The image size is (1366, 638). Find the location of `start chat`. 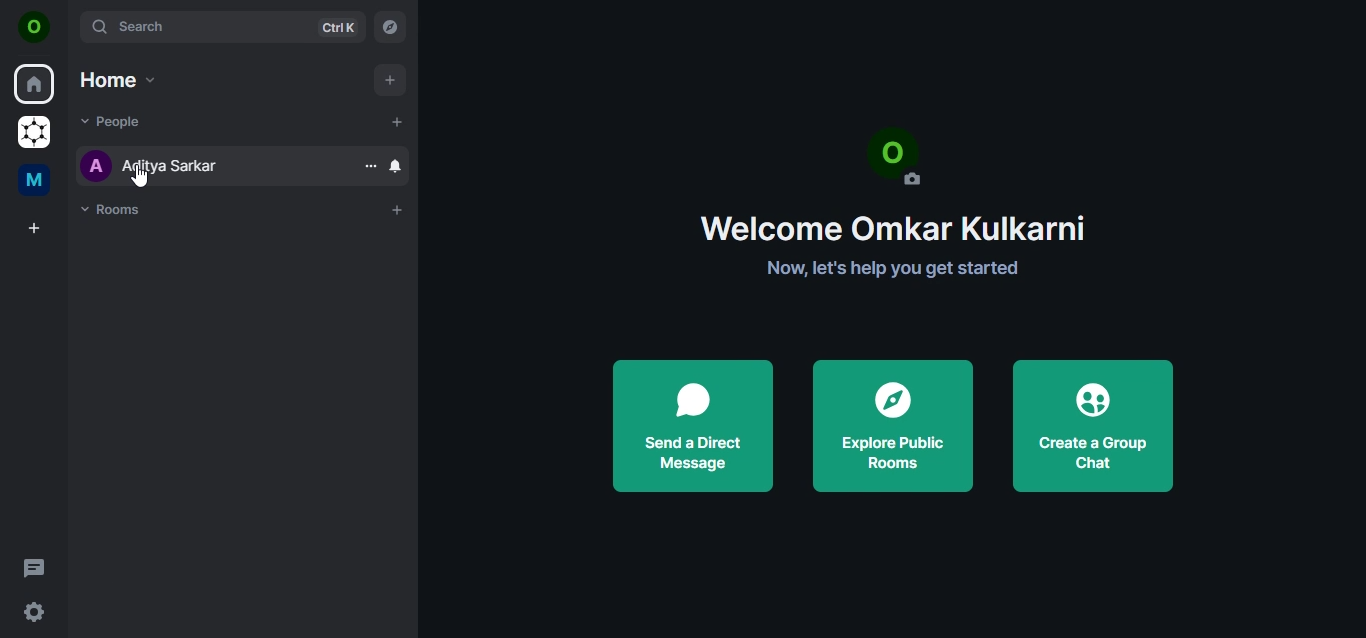

start chat is located at coordinates (398, 121).